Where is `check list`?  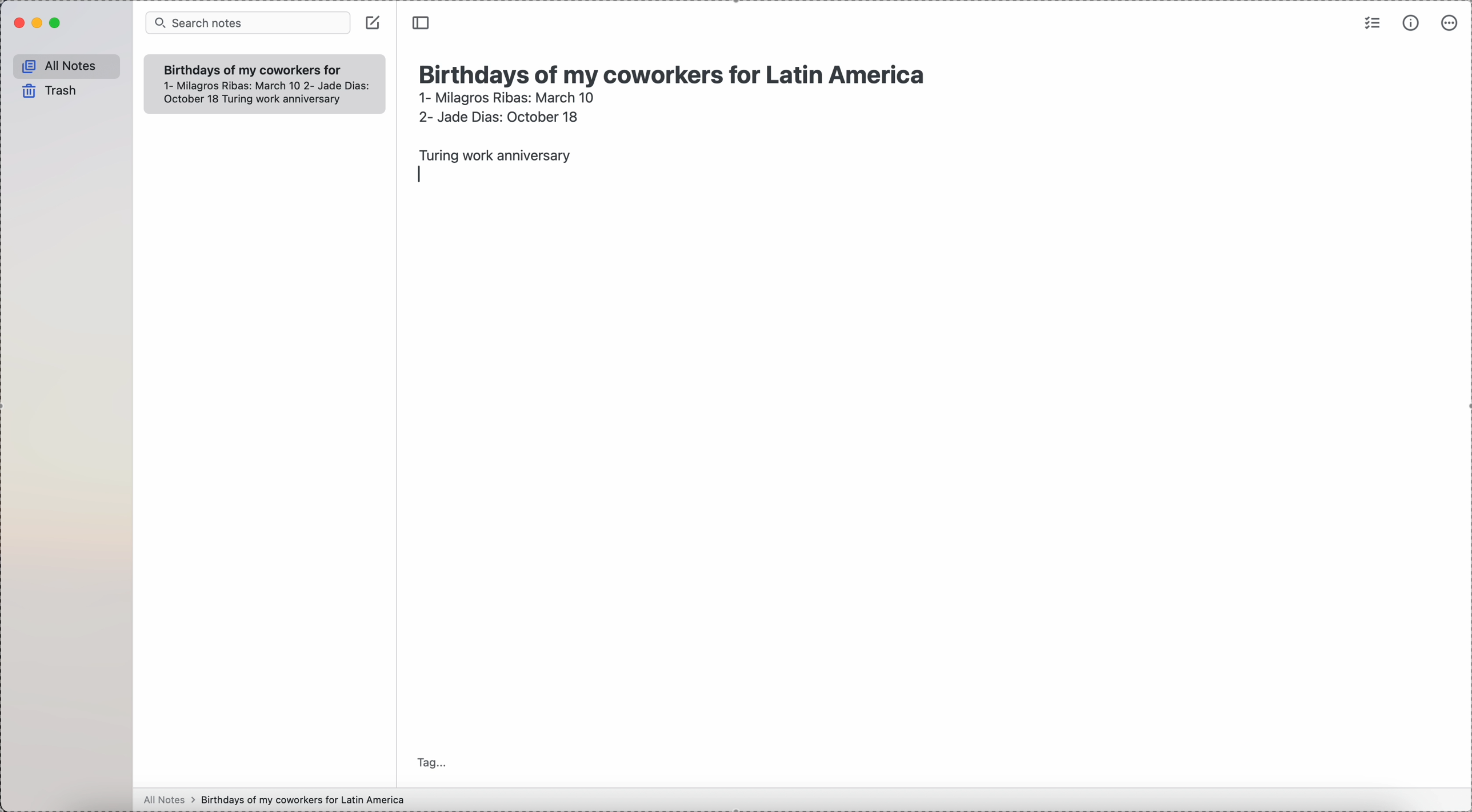
check list is located at coordinates (1371, 22).